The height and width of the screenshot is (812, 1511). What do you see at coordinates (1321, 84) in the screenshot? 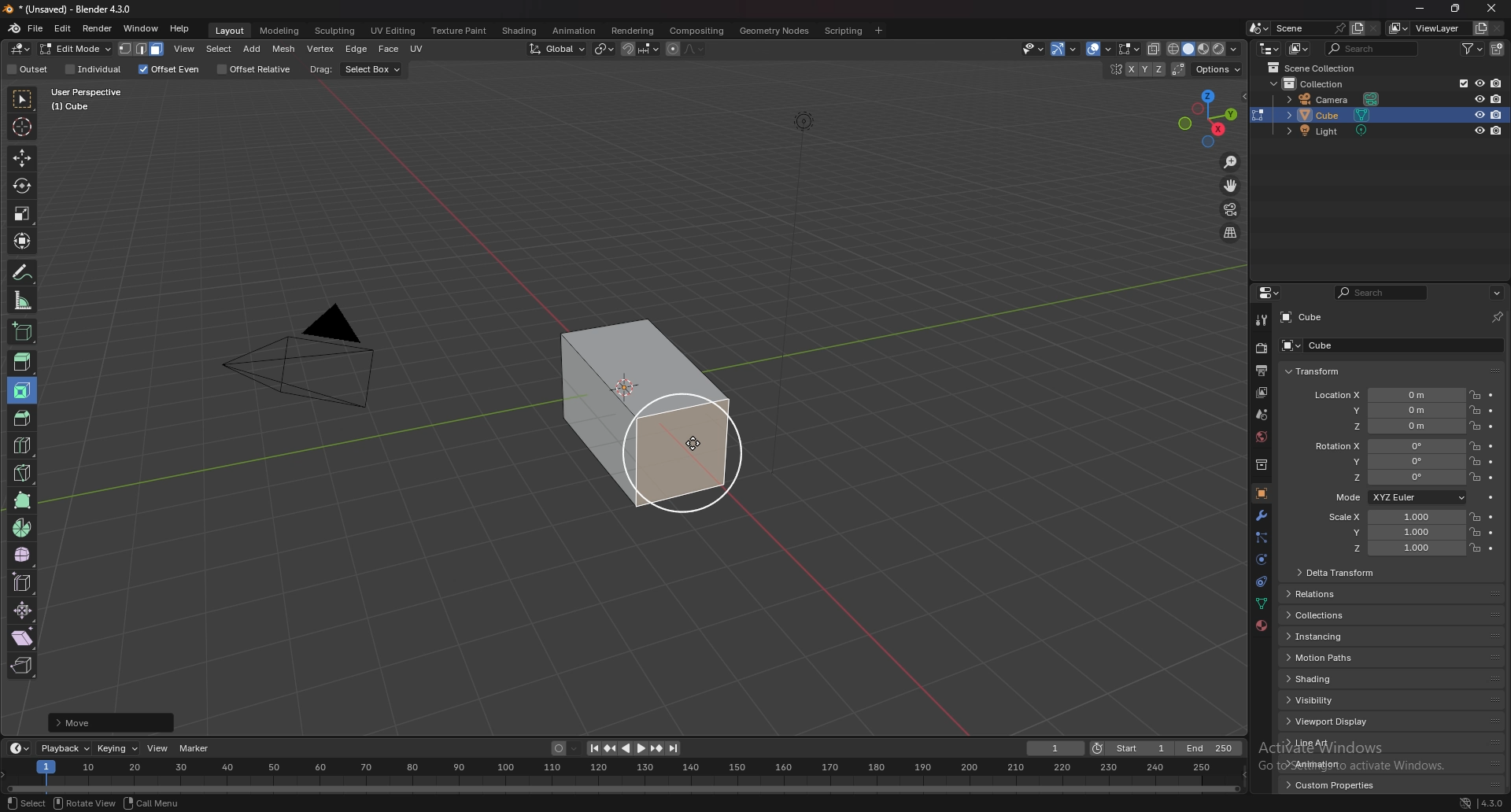
I see `collection` at bounding box center [1321, 84].